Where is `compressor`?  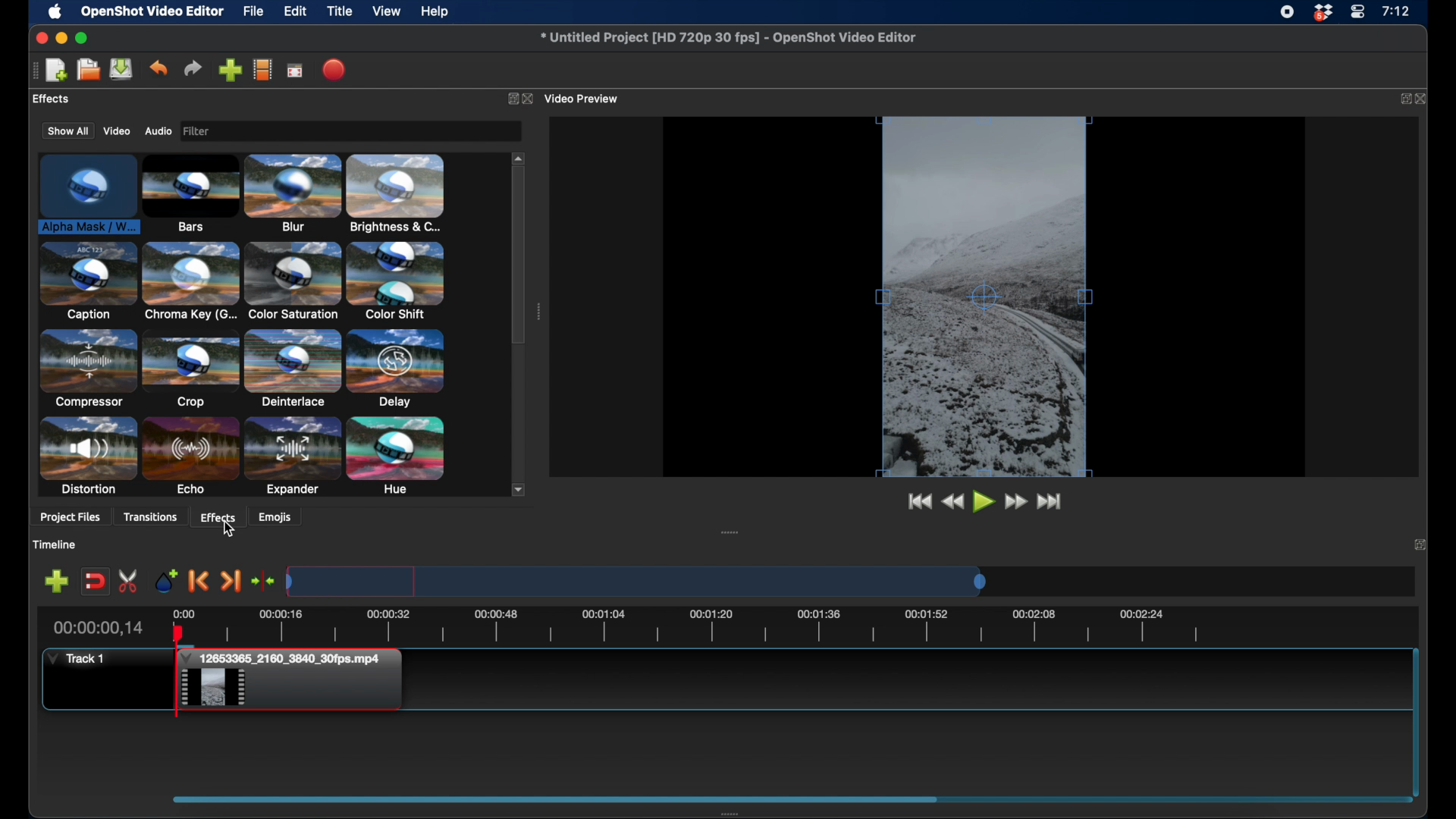
compressor is located at coordinates (86, 368).